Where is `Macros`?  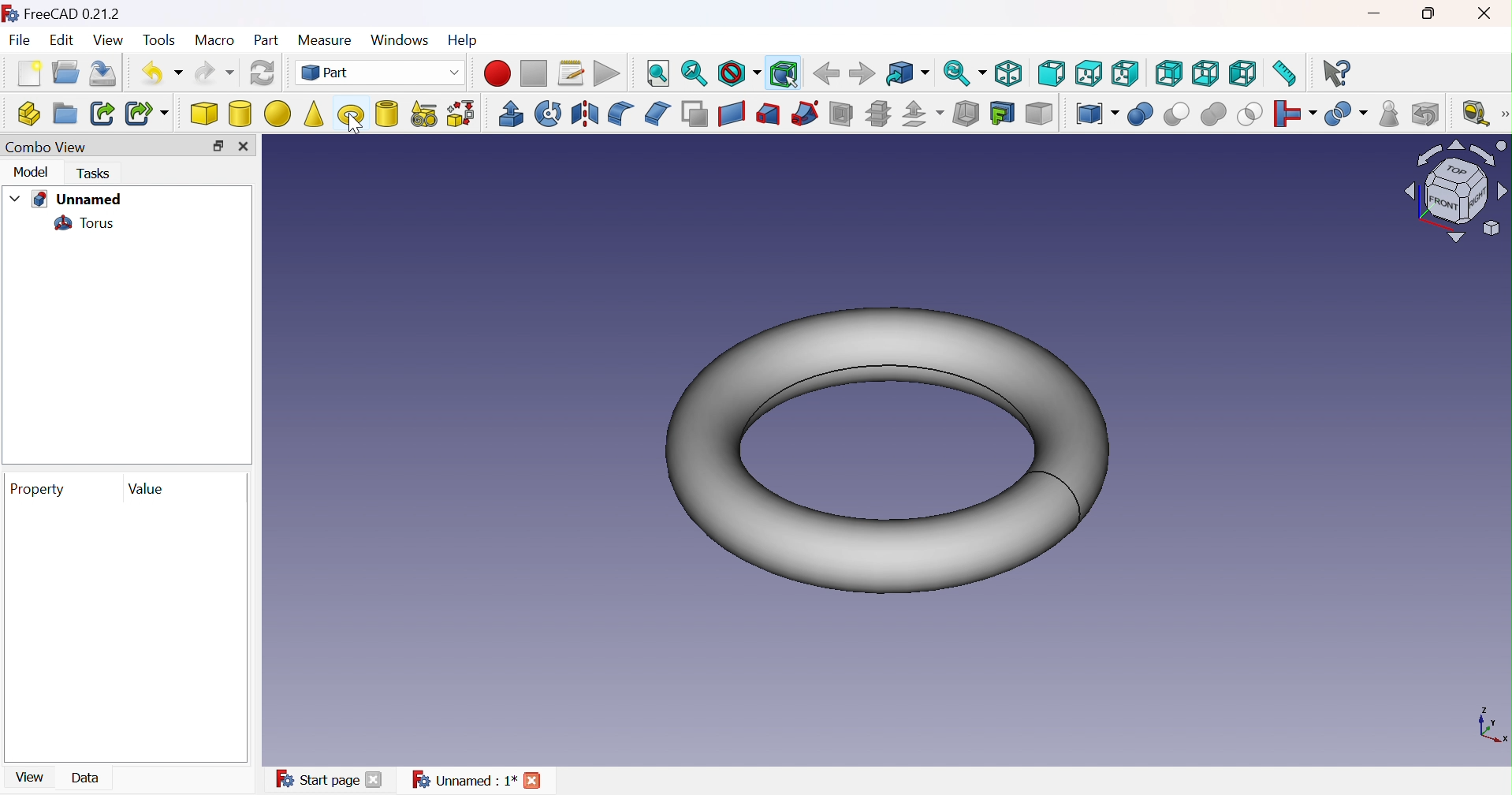 Macros is located at coordinates (572, 73).